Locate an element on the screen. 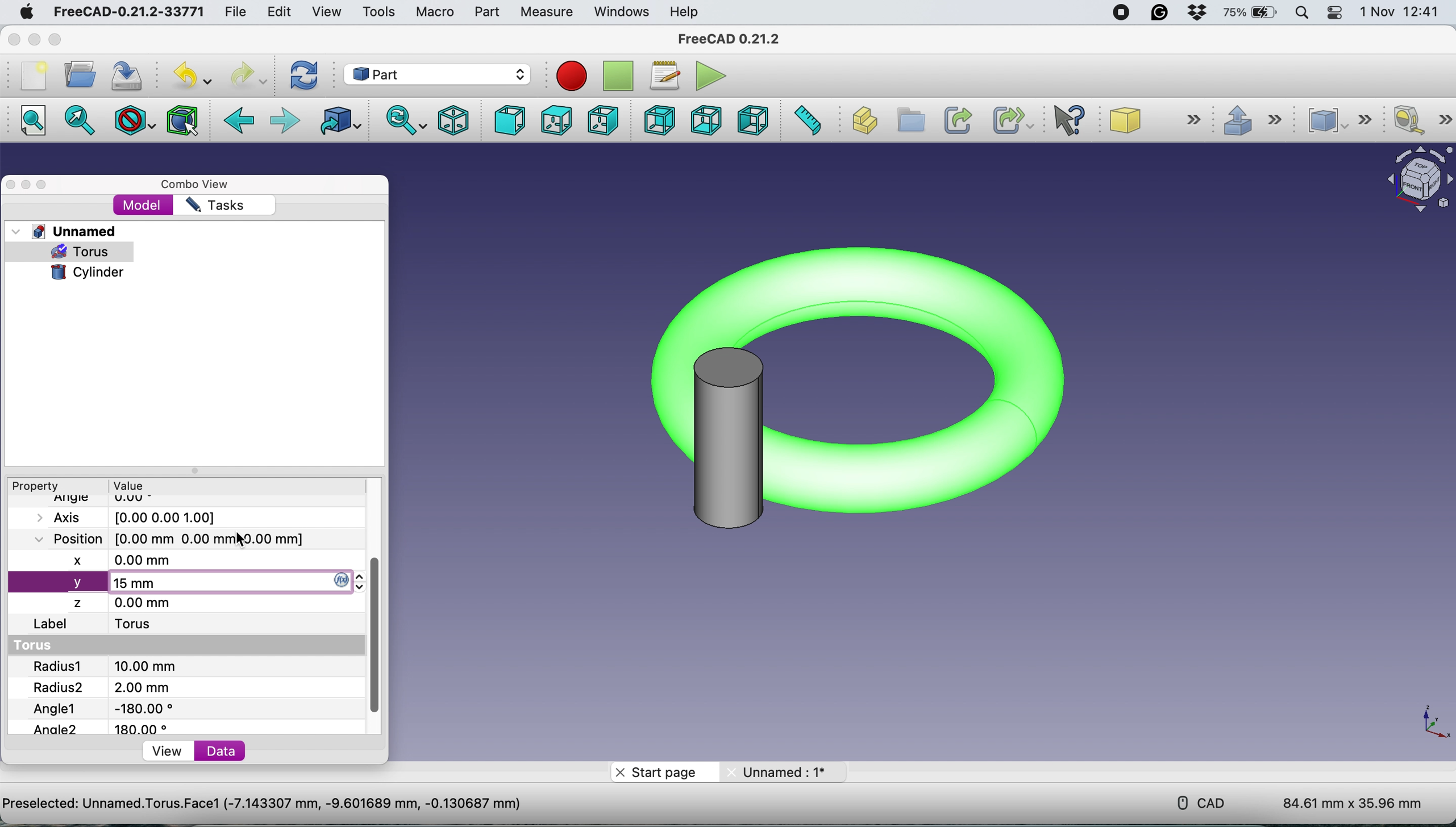 The image size is (1456, 827). bounding box is located at coordinates (184, 120).